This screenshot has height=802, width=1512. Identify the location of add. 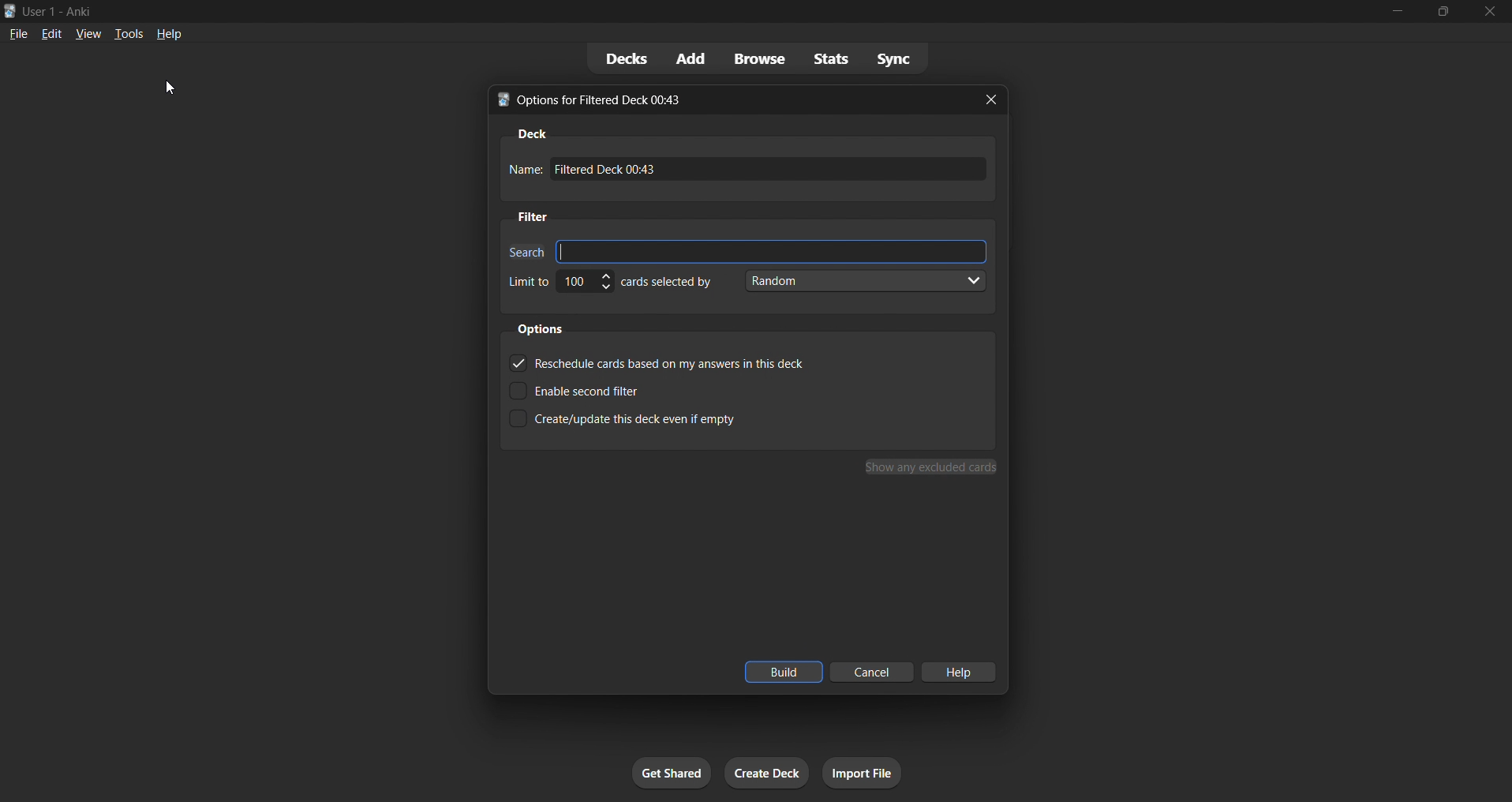
(687, 55).